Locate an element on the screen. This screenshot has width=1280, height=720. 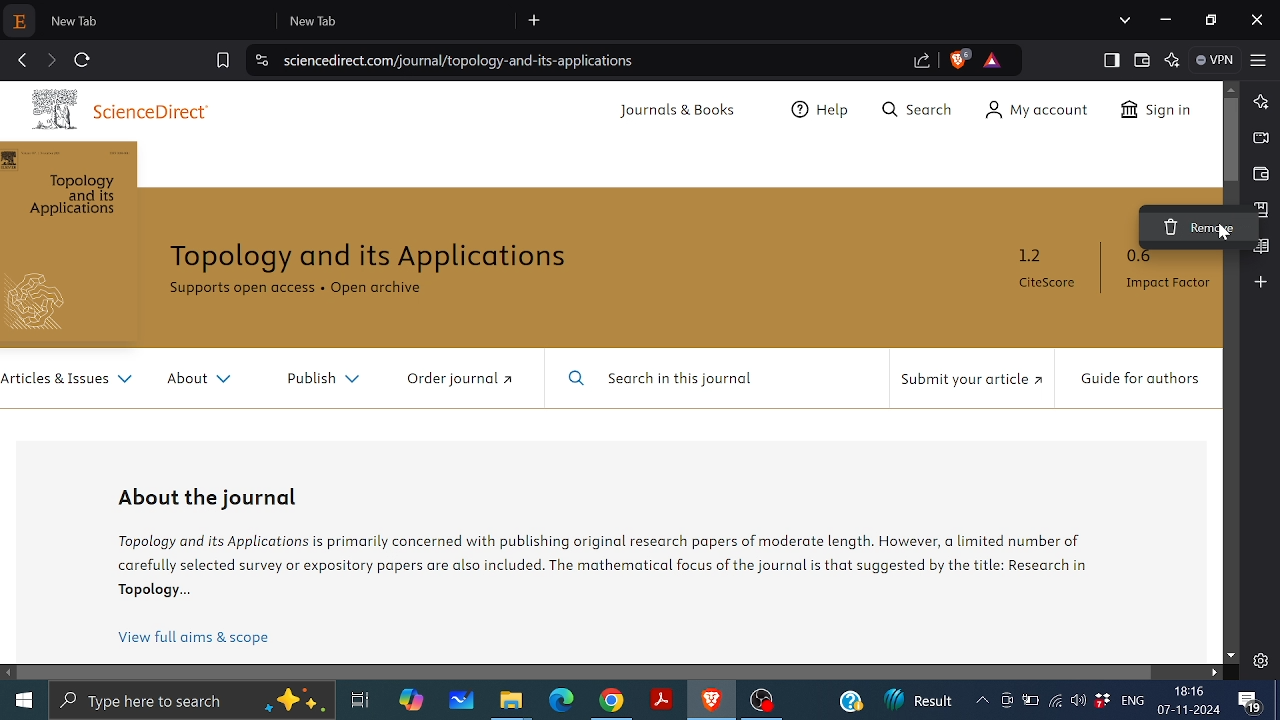
Journals and Books is located at coordinates (681, 114).